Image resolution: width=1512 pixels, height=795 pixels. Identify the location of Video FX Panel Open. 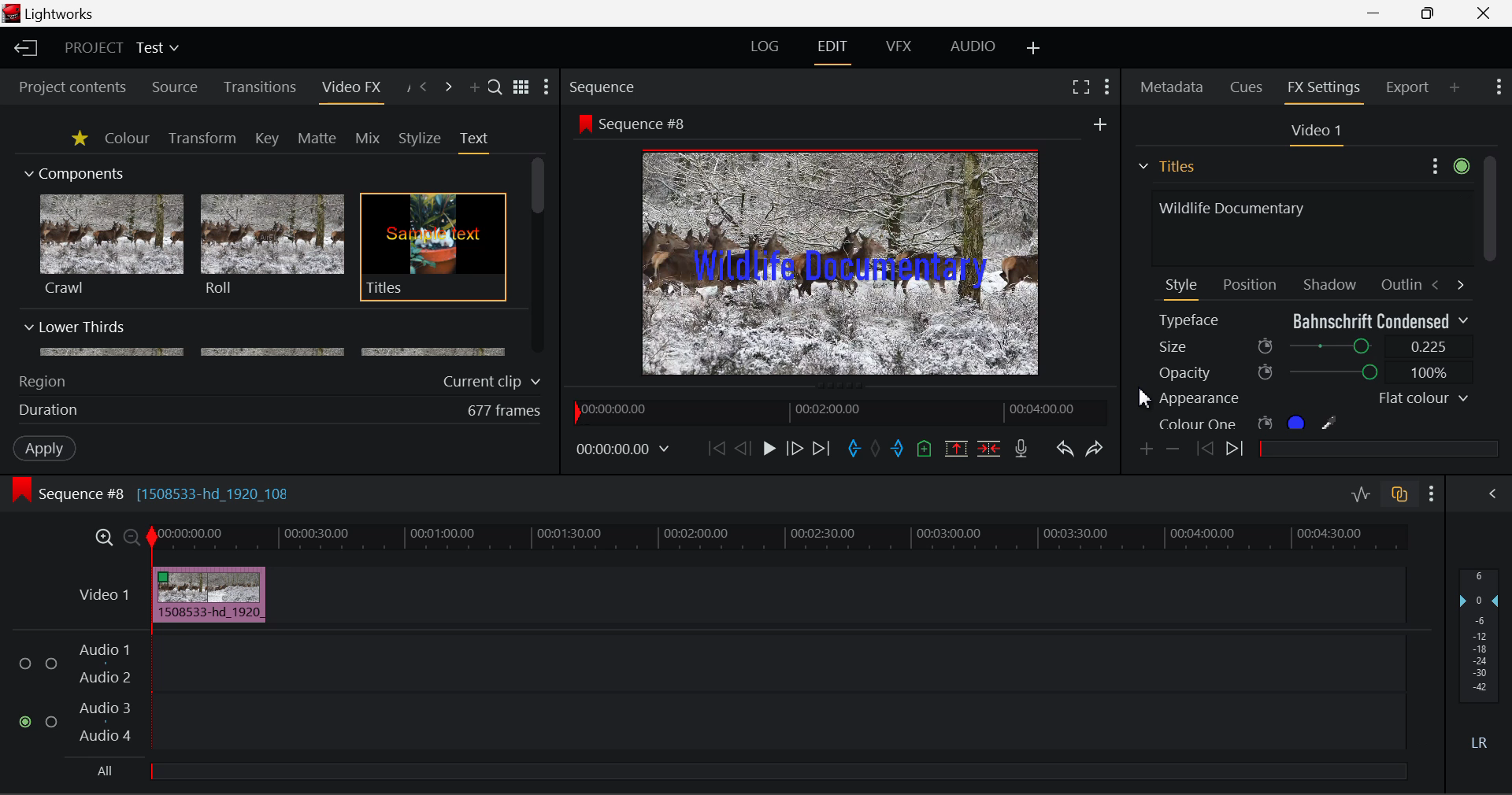
(350, 89).